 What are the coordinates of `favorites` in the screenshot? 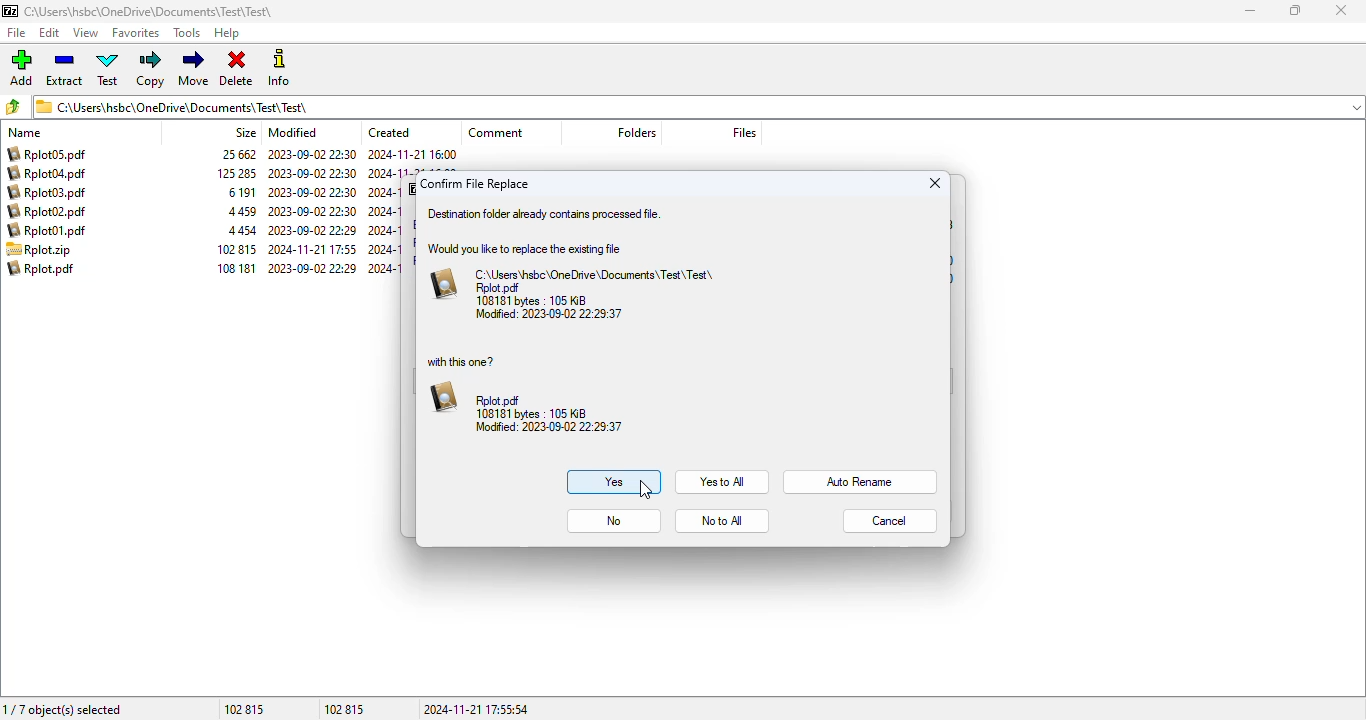 It's located at (135, 33).